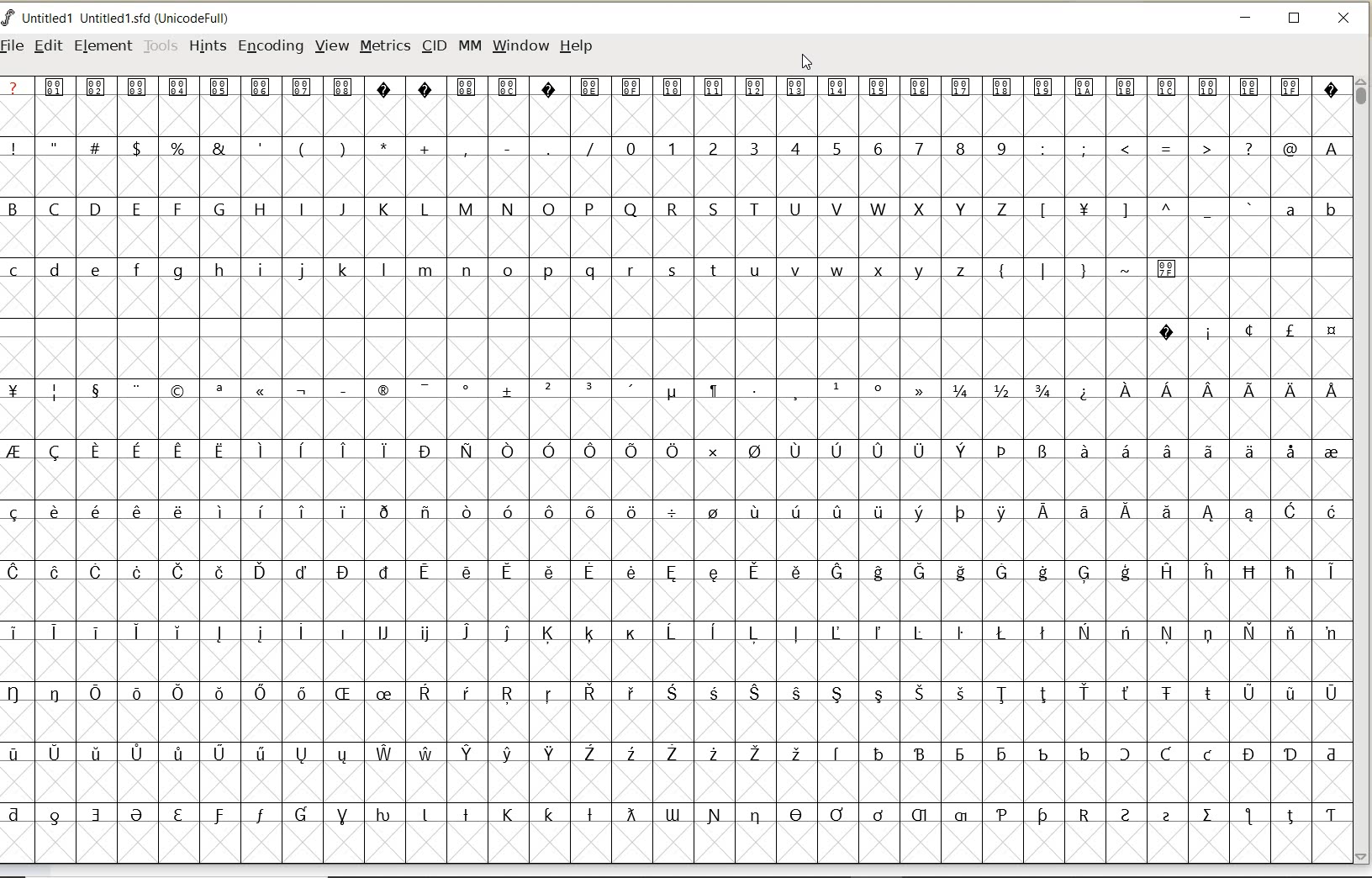 Image resolution: width=1372 pixels, height=878 pixels. Describe the element at coordinates (161, 45) in the screenshot. I see `TOOLS` at that location.